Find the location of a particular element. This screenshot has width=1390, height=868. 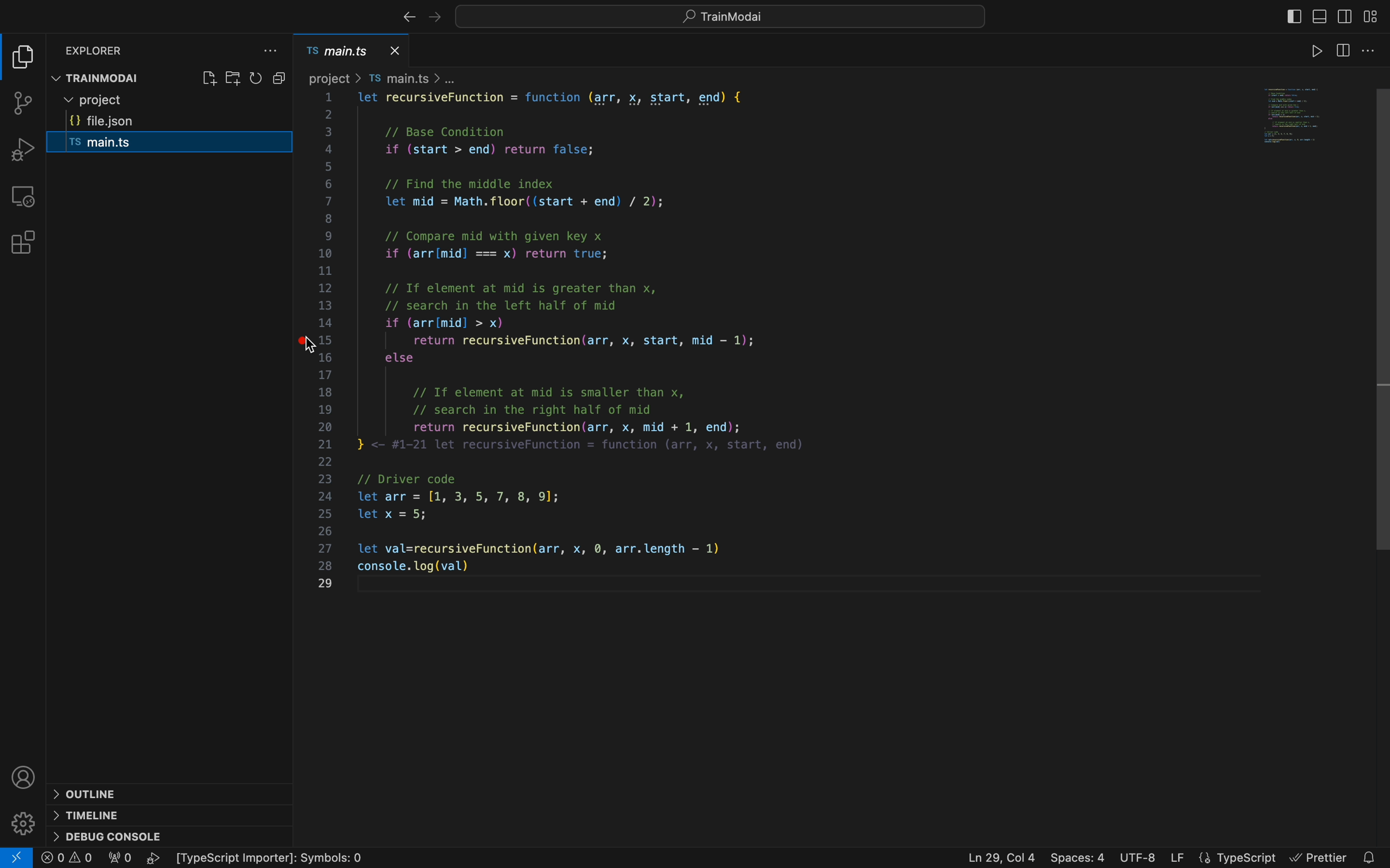

maints is located at coordinates (157, 146).